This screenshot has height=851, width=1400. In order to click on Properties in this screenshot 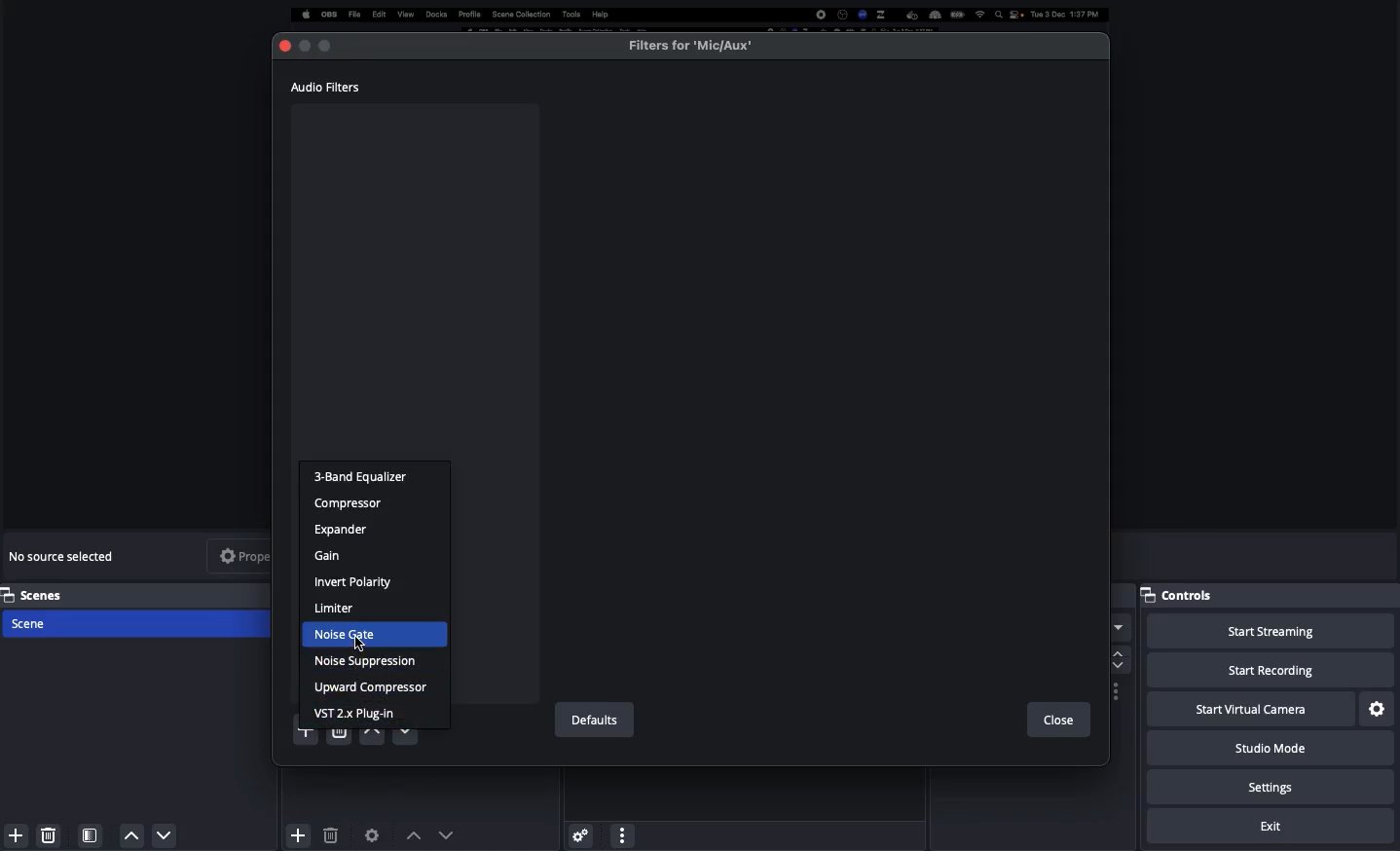, I will do `click(257, 555)`.